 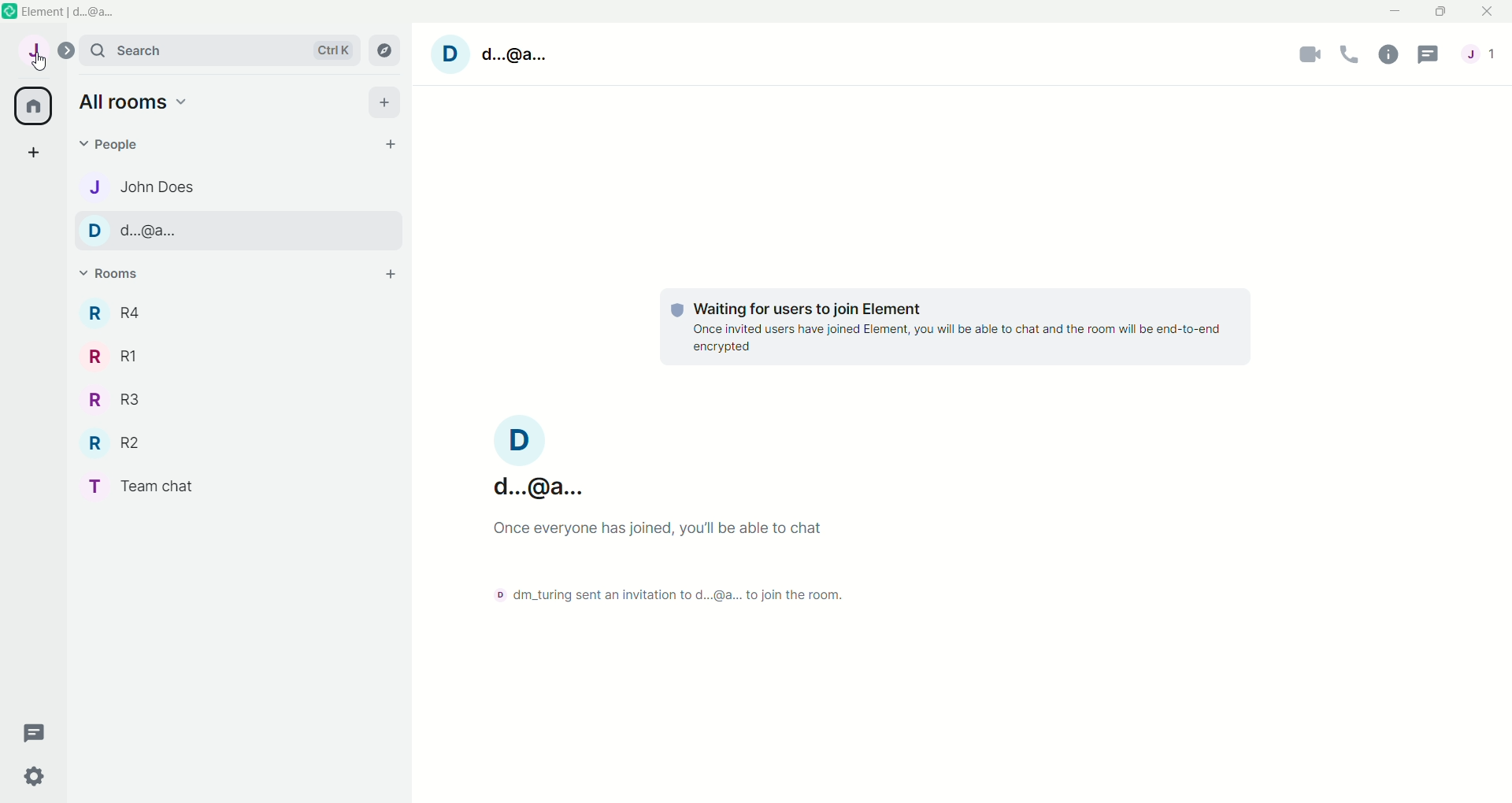 What do you see at coordinates (43, 775) in the screenshot?
I see `Quick settings` at bounding box center [43, 775].